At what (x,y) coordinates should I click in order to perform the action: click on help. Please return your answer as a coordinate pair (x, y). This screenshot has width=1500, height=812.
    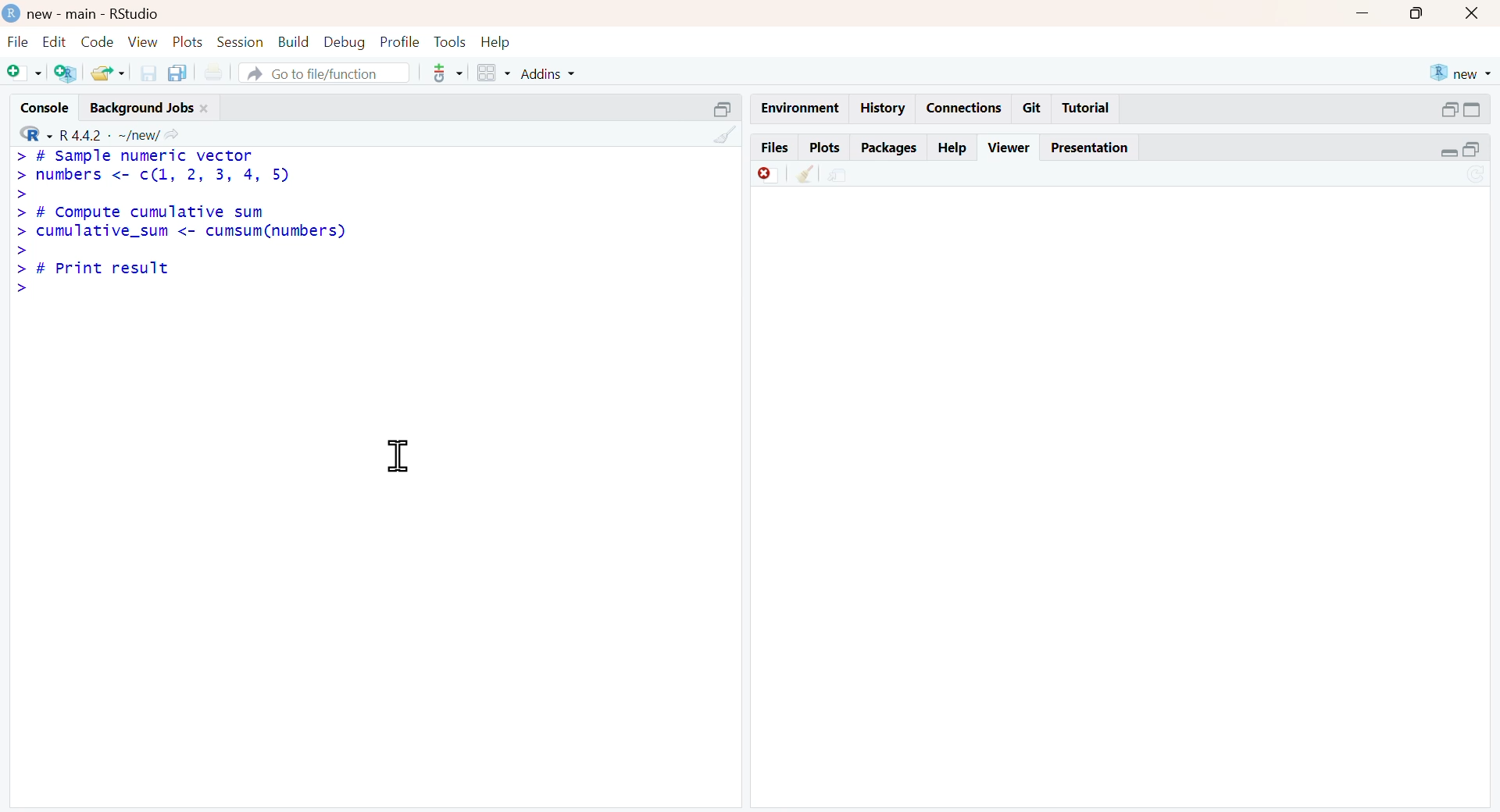
    Looking at the image, I should click on (496, 41).